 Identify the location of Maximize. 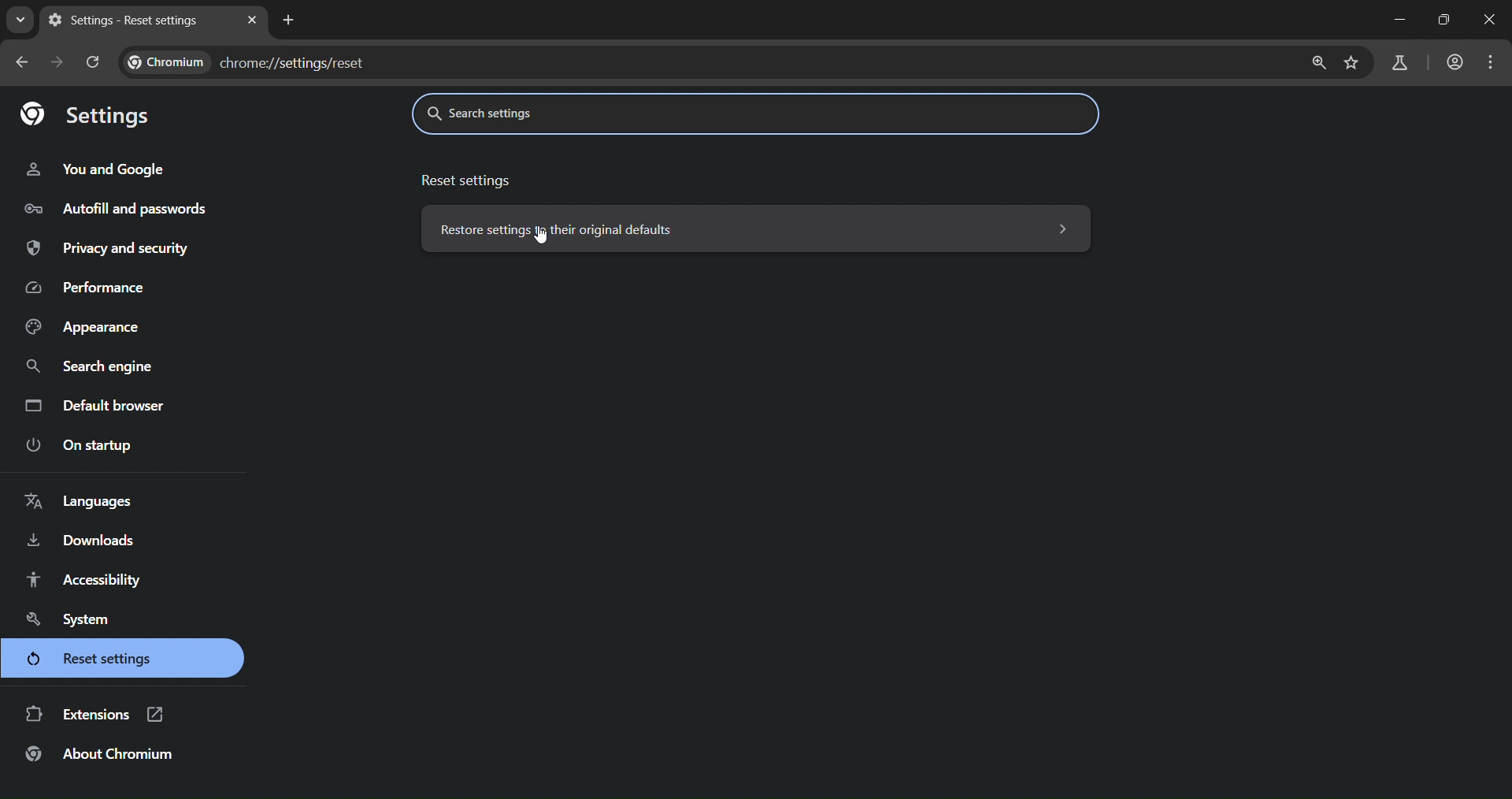
(1447, 19).